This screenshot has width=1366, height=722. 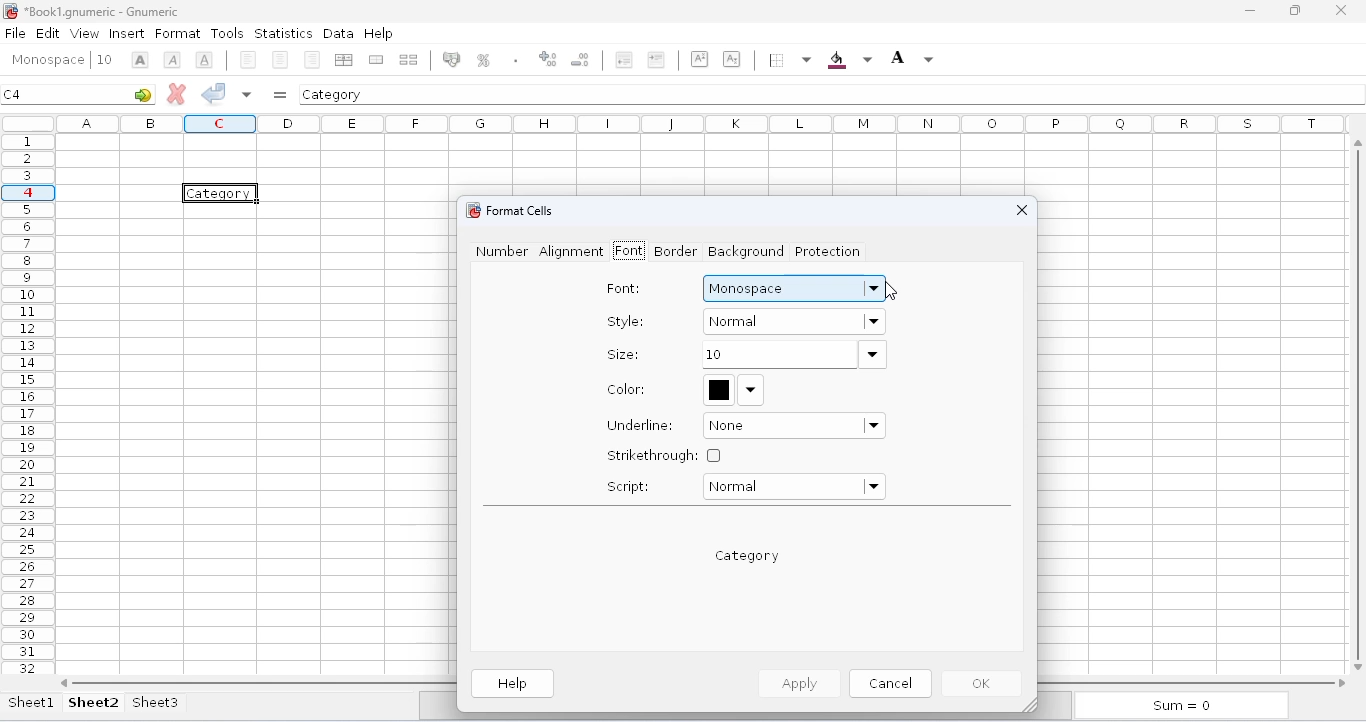 What do you see at coordinates (624, 289) in the screenshot?
I see `font:` at bounding box center [624, 289].